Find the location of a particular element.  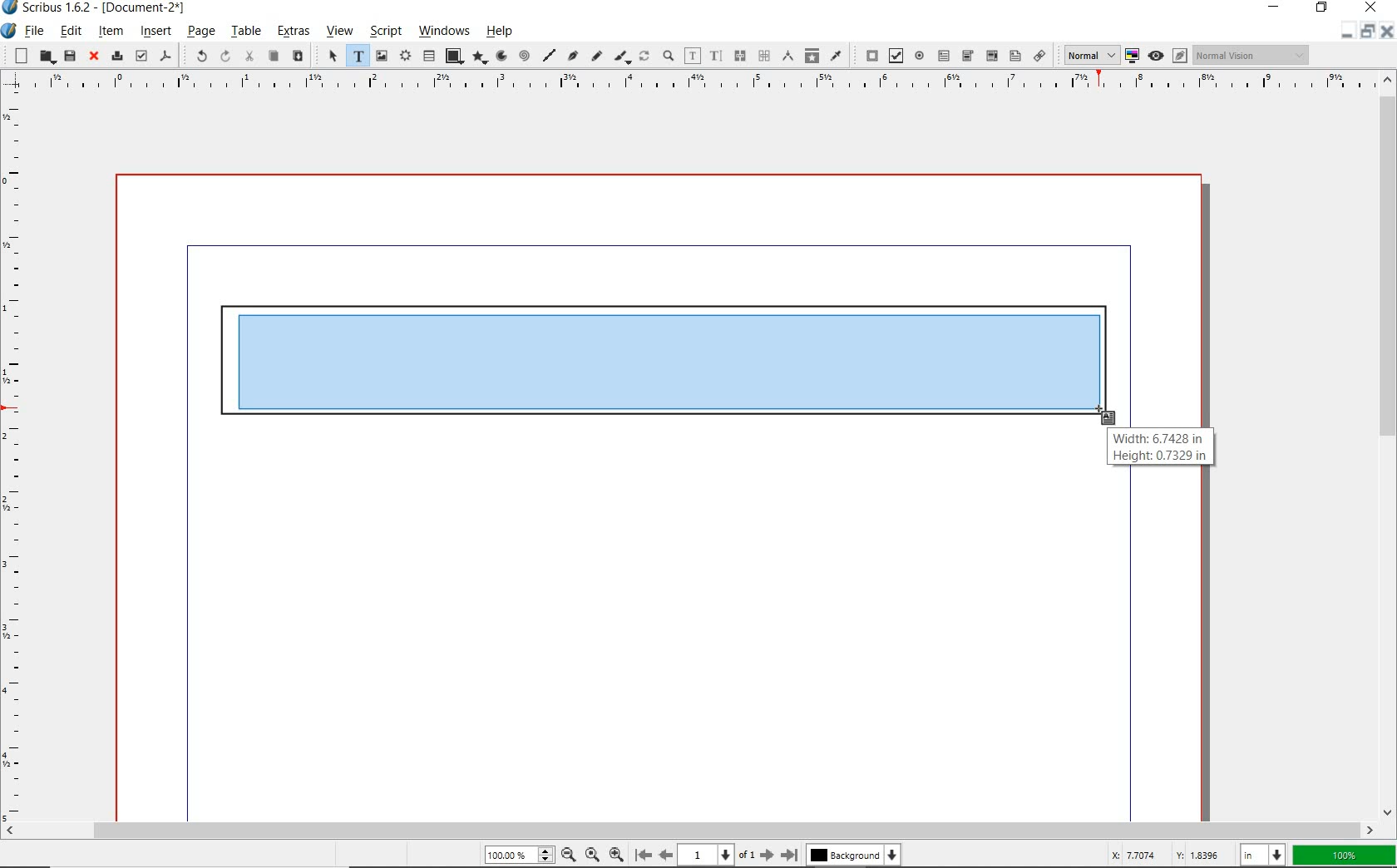

spiral is located at coordinates (526, 56).